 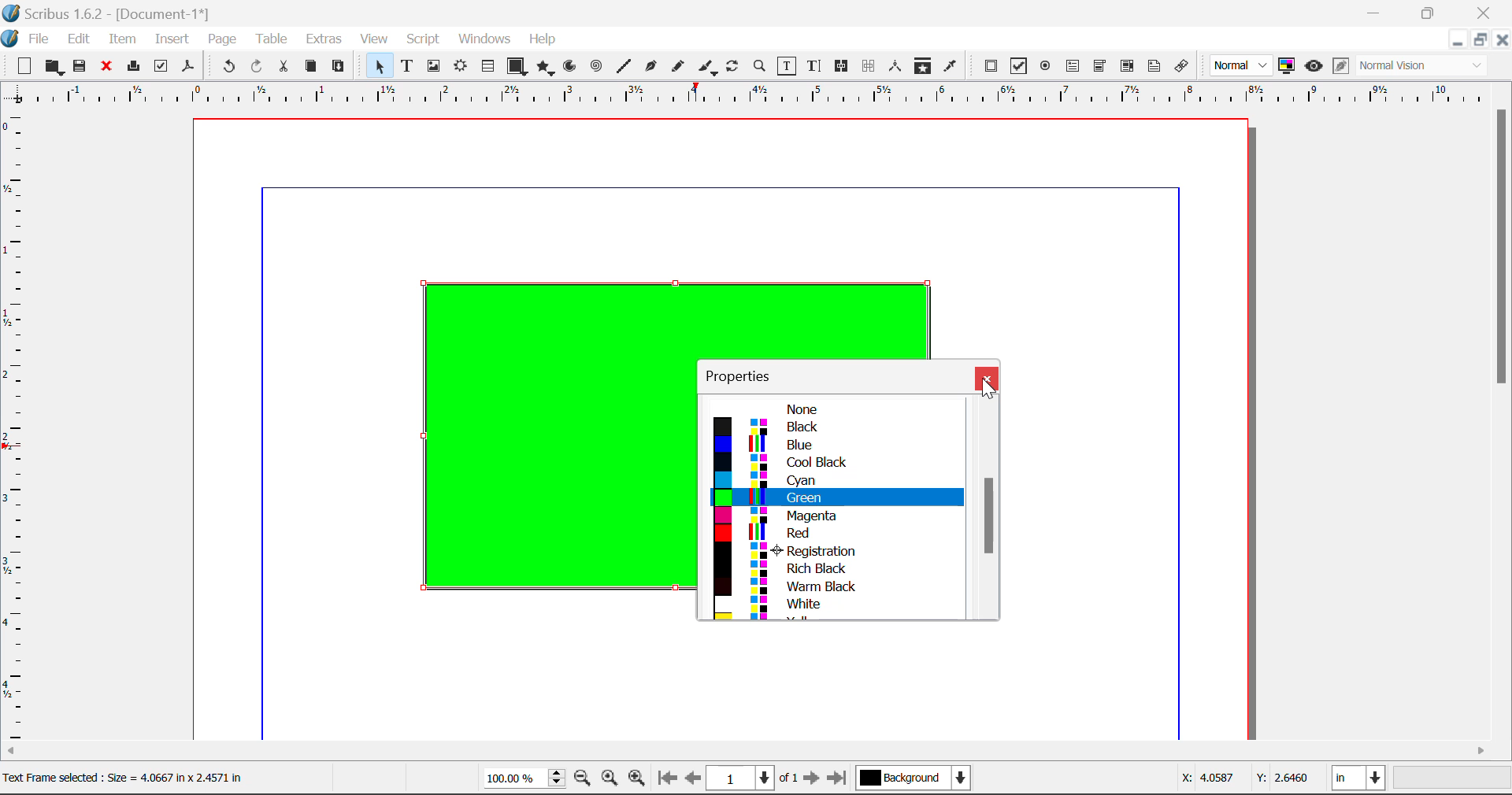 I want to click on Registration, so click(x=833, y=550).